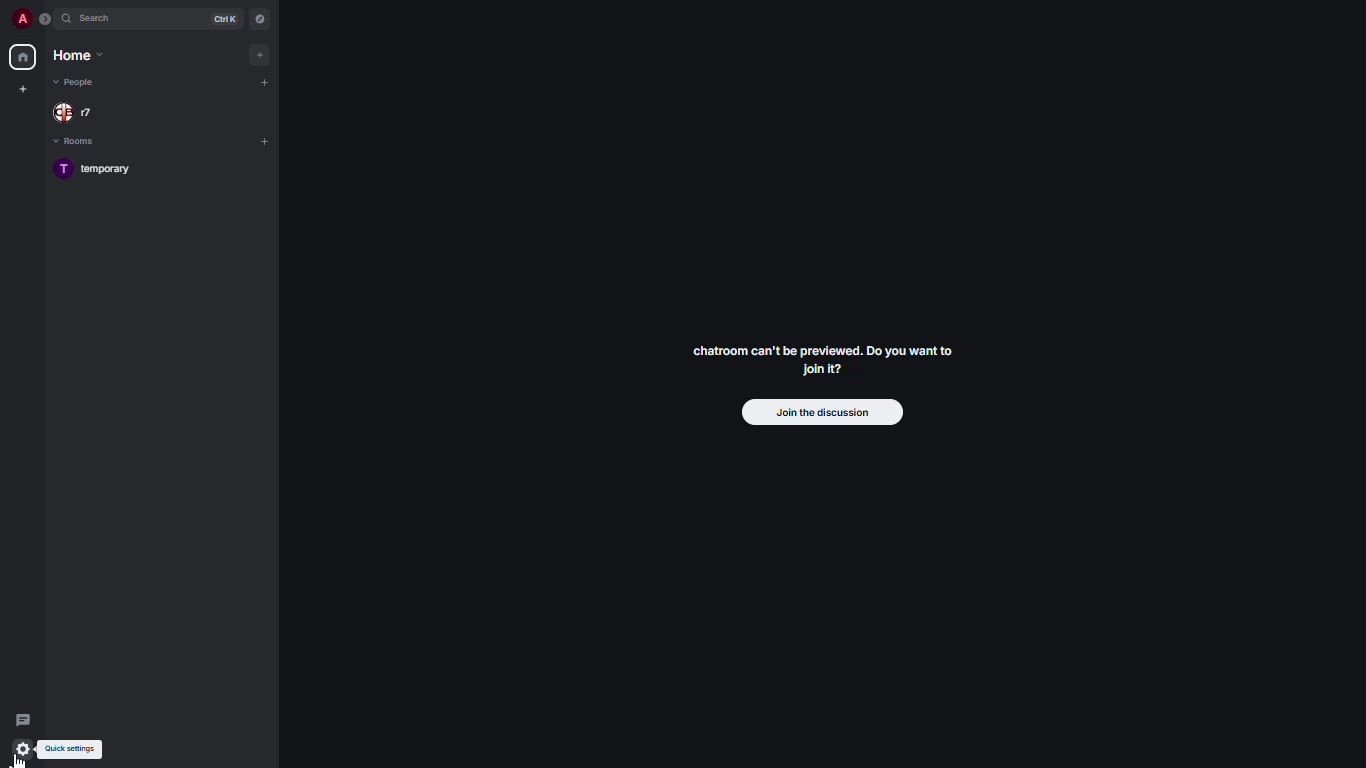 The width and height of the screenshot is (1366, 768). Describe the element at coordinates (264, 52) in the screenshot. I see `add` at that location.